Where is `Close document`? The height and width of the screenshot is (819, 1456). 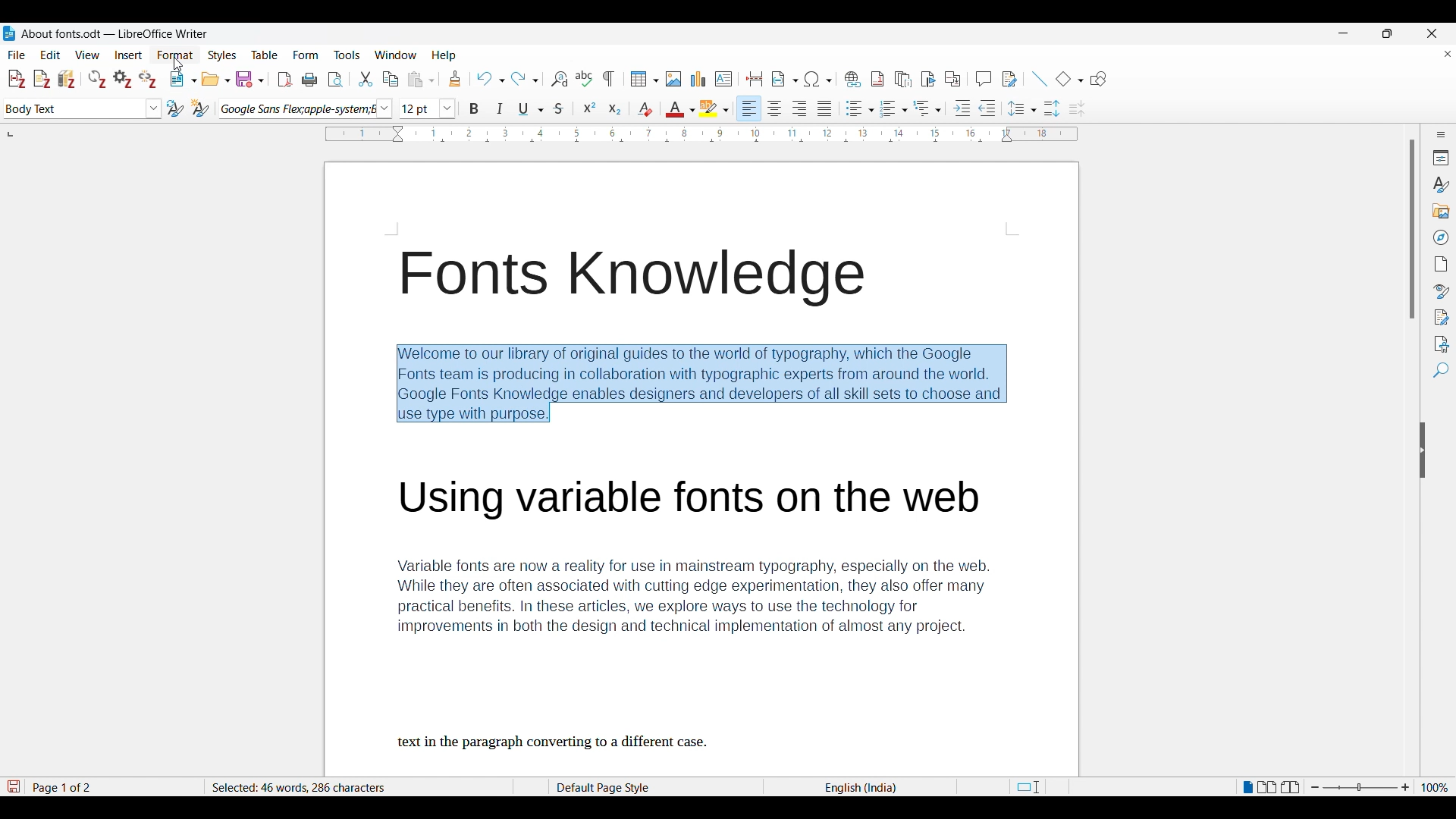 Close document is located at coordinates (1448, 54).